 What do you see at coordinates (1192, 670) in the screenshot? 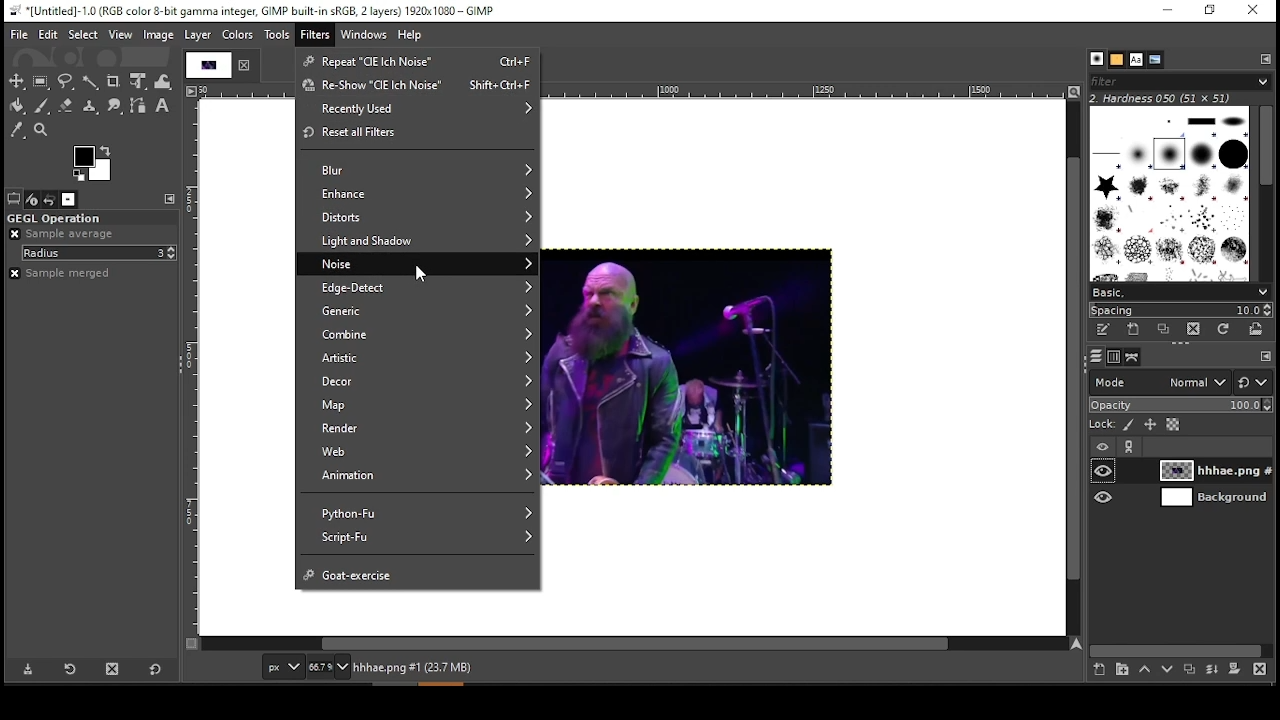
I see `duplicate layer` at bounding box center [1192, 670].